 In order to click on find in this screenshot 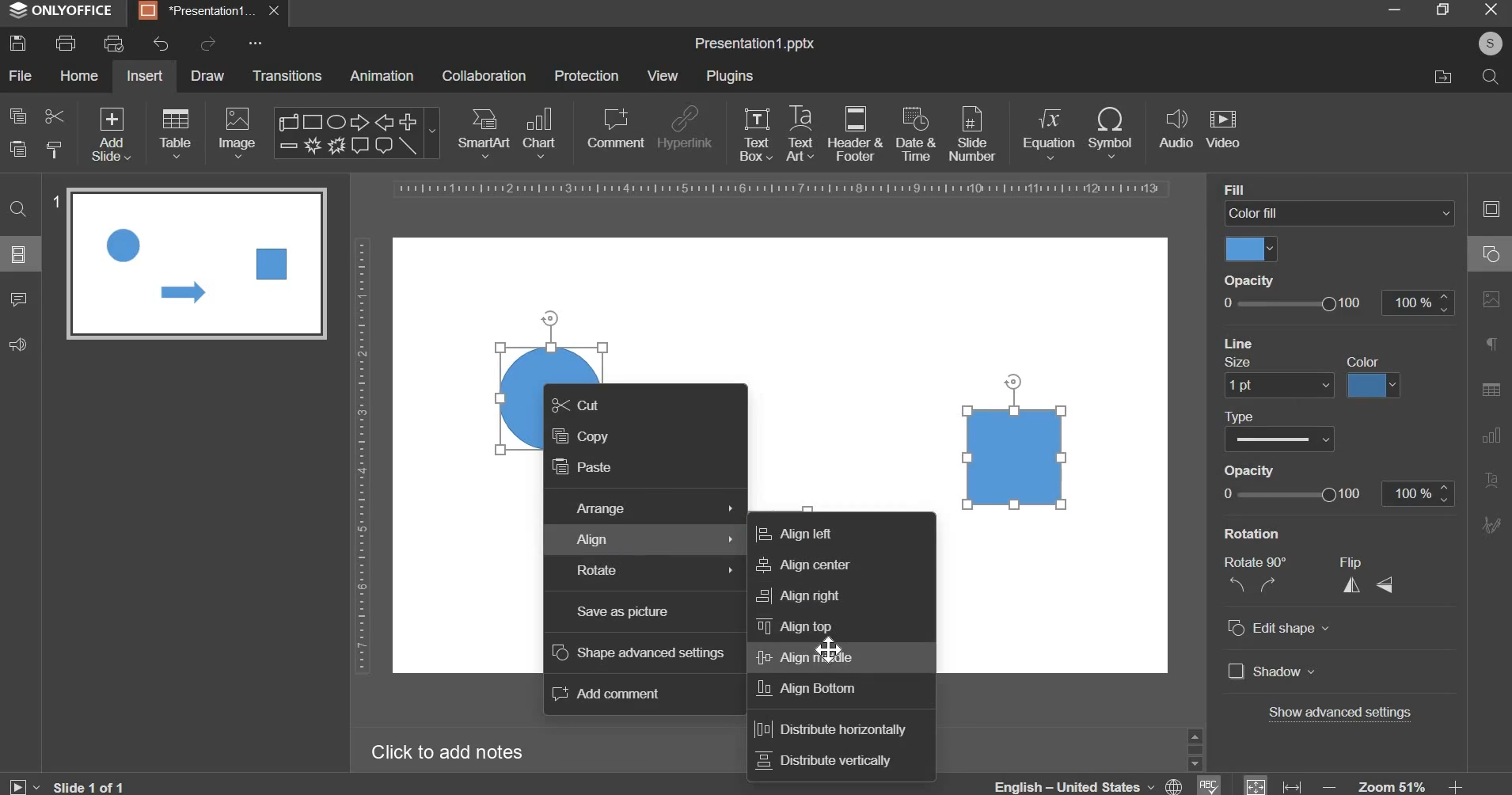, I will do `click(20, 207)`.